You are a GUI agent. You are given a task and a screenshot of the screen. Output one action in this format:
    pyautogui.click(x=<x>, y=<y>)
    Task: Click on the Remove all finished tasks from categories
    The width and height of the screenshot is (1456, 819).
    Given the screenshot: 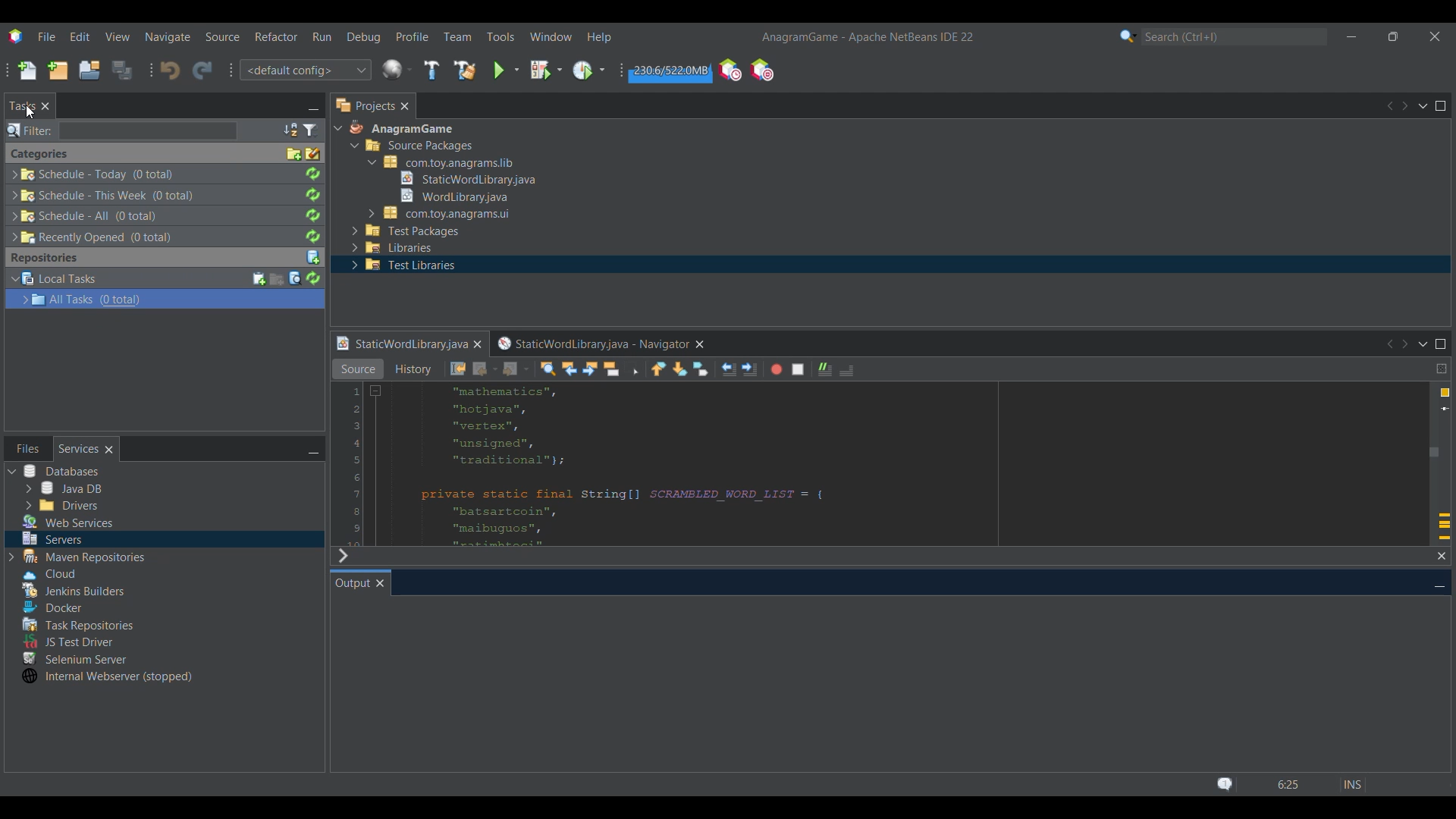 What is the action you would take?
    pyautogui.click(x=313, y=154)
    